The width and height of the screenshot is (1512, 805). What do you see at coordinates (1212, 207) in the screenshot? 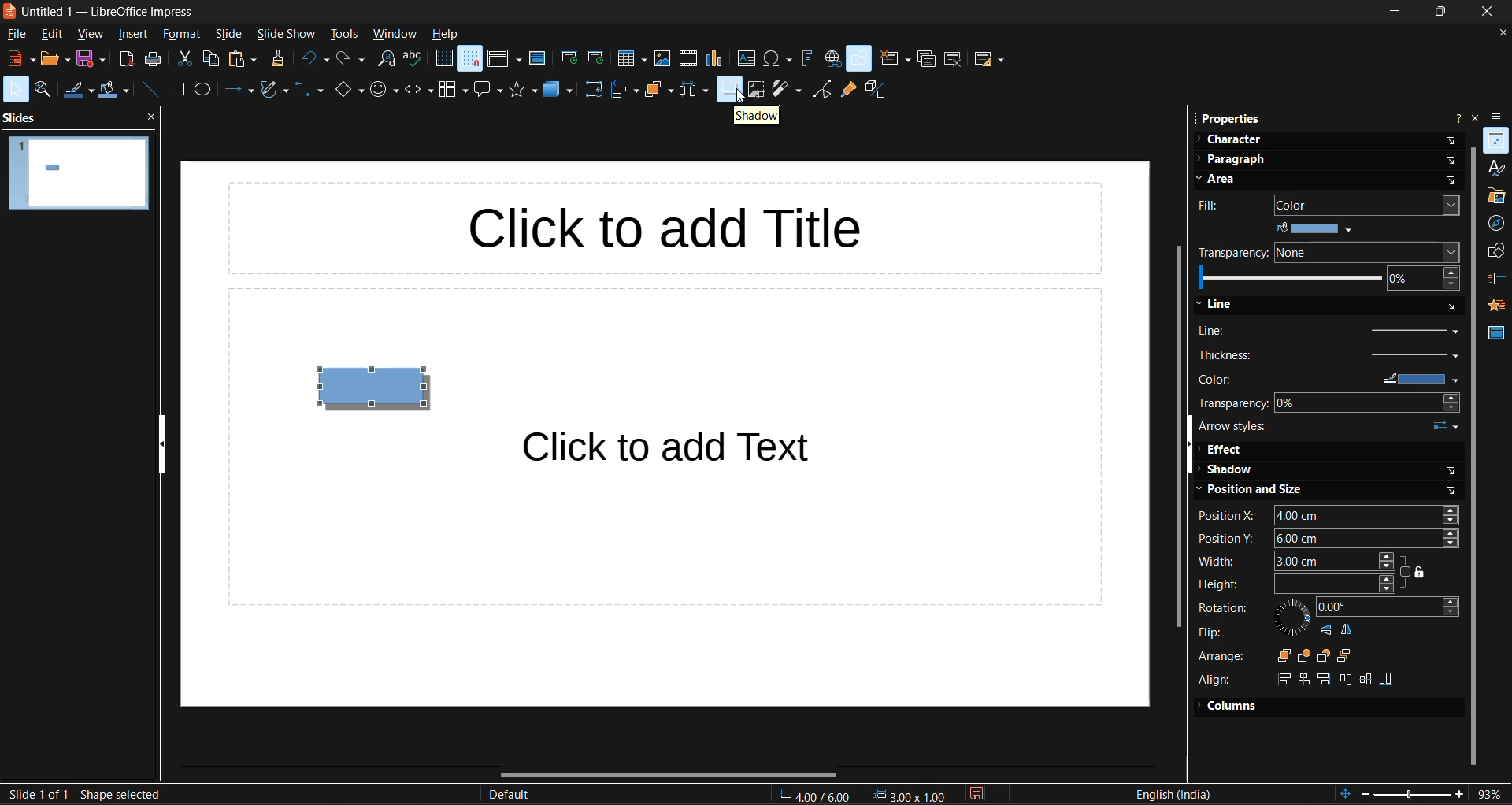
I see `fill` at bounding box center [1212, 207].